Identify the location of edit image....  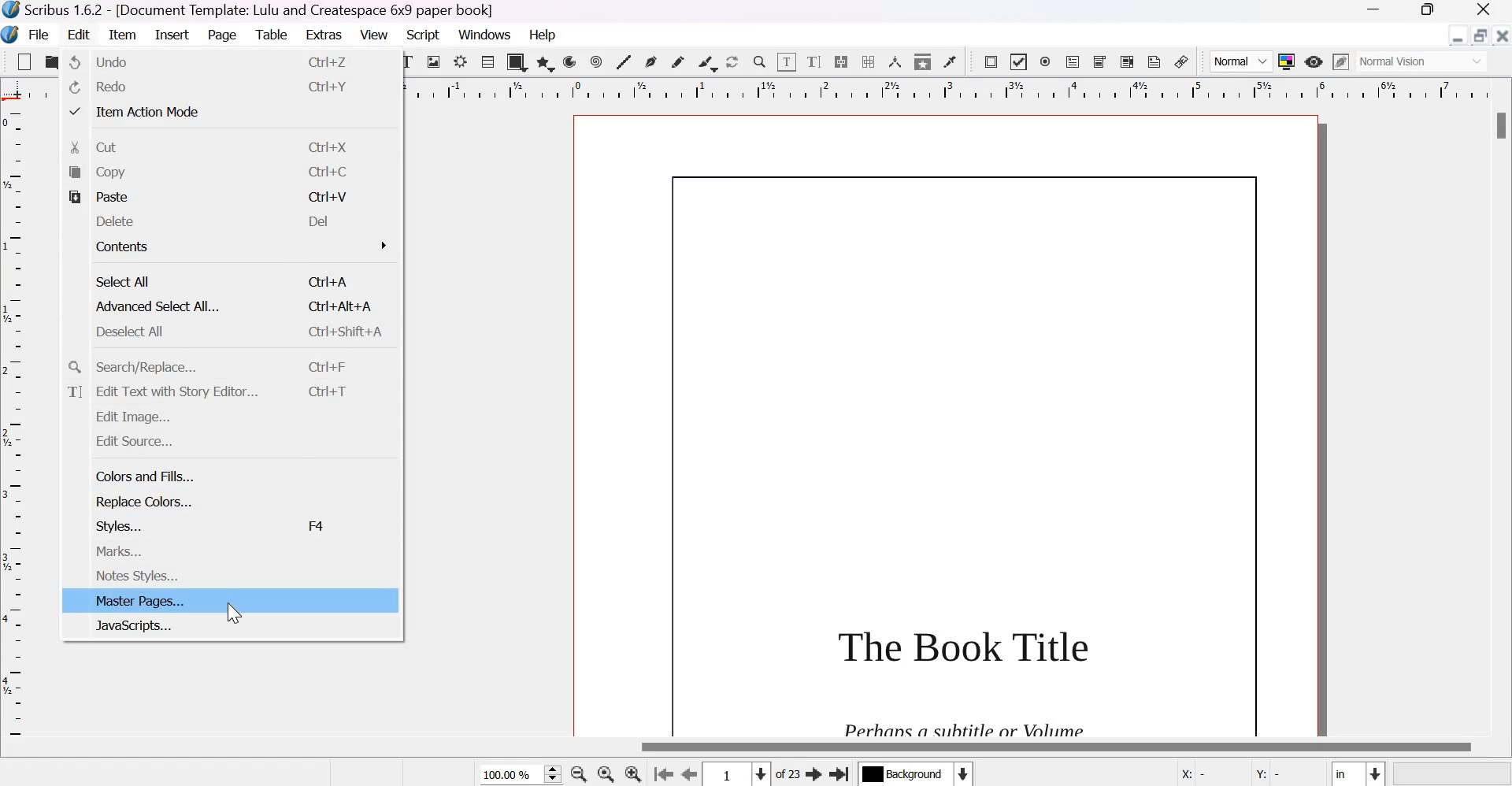
(137, 417).